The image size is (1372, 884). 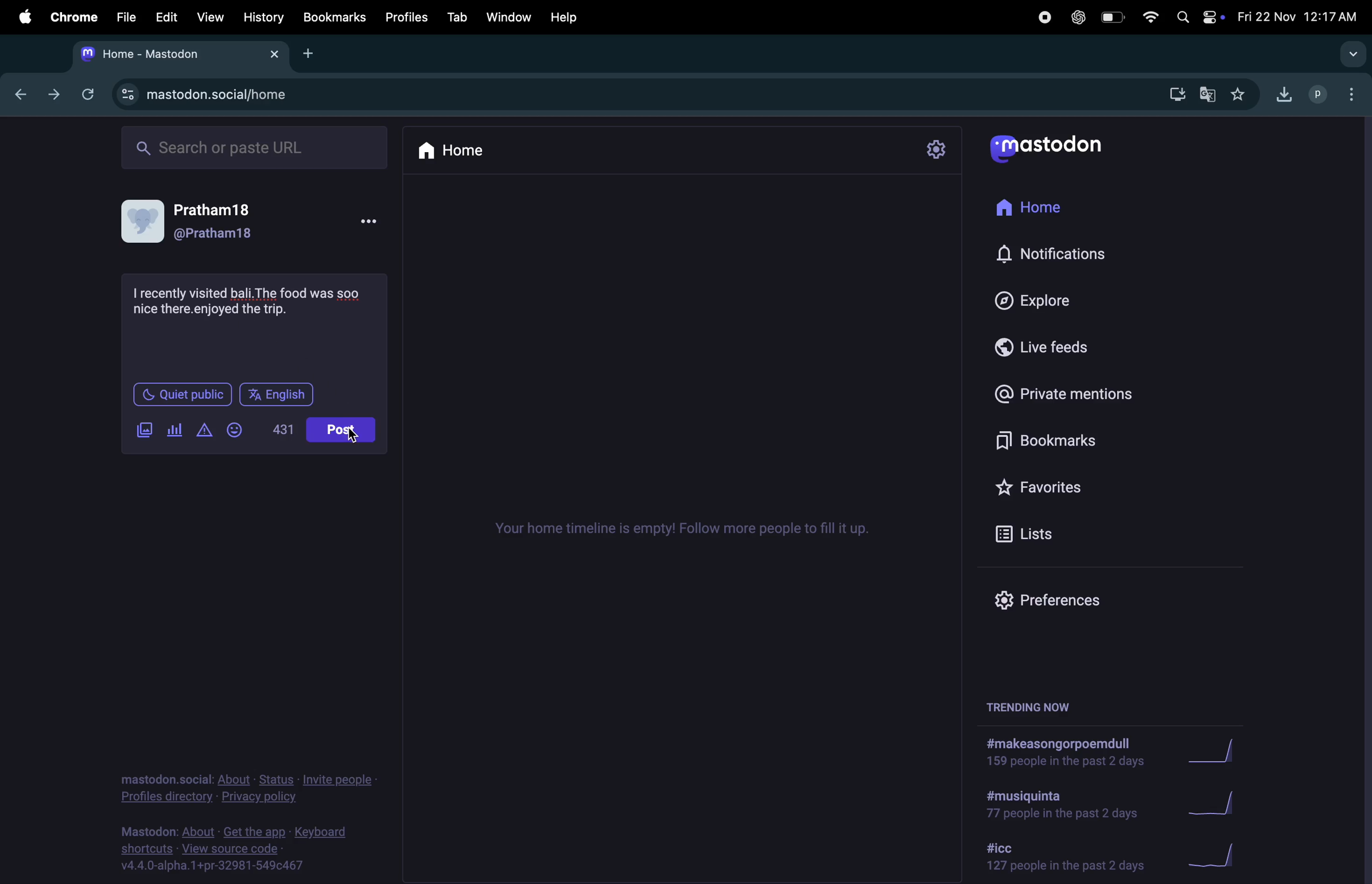 What do you see at coordinates (1148, 18) in the screenshot?
I see `wifi` at bounding box center [1148, 18].